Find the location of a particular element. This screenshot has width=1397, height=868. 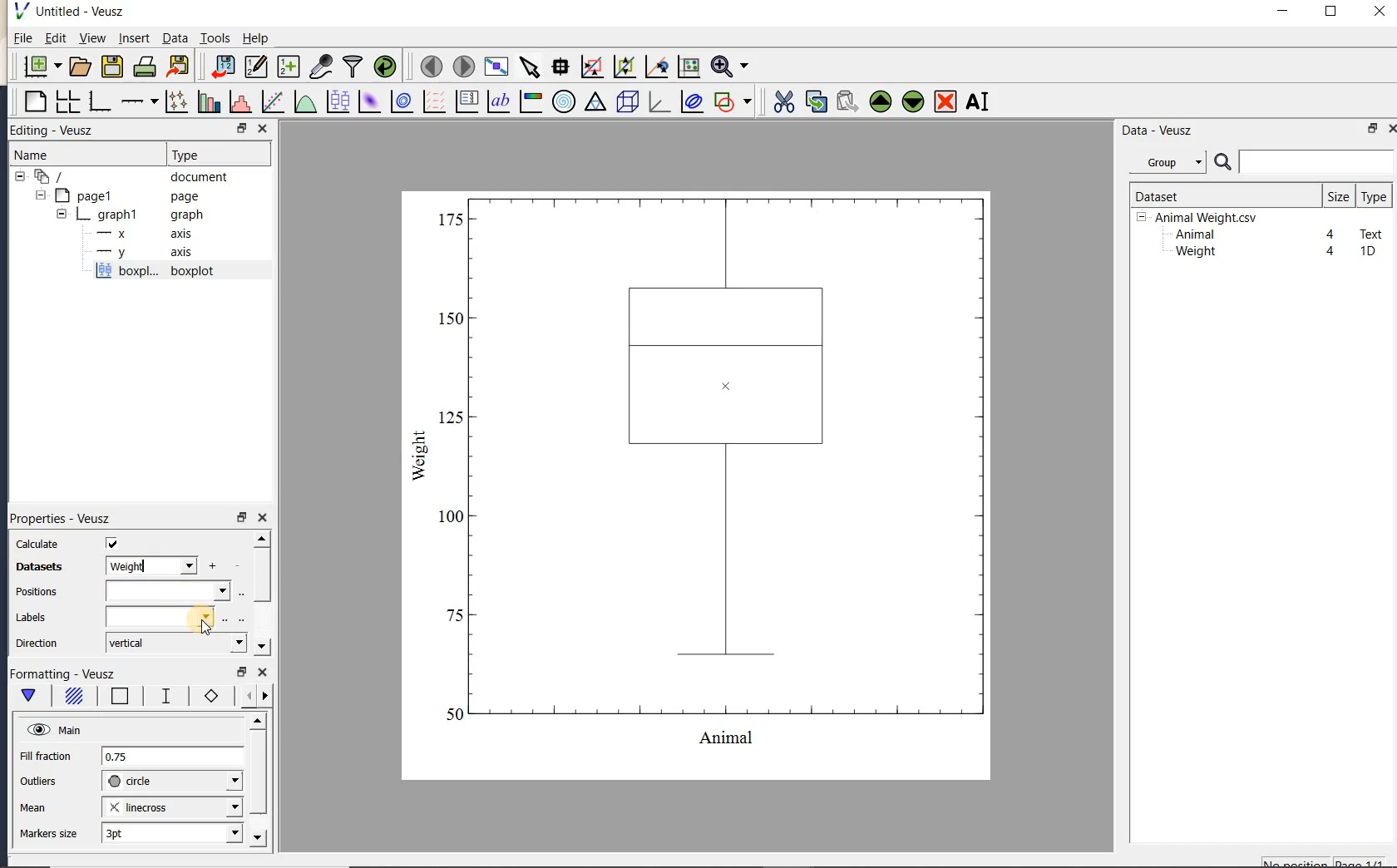

new document is located at coordinates (38, 67).